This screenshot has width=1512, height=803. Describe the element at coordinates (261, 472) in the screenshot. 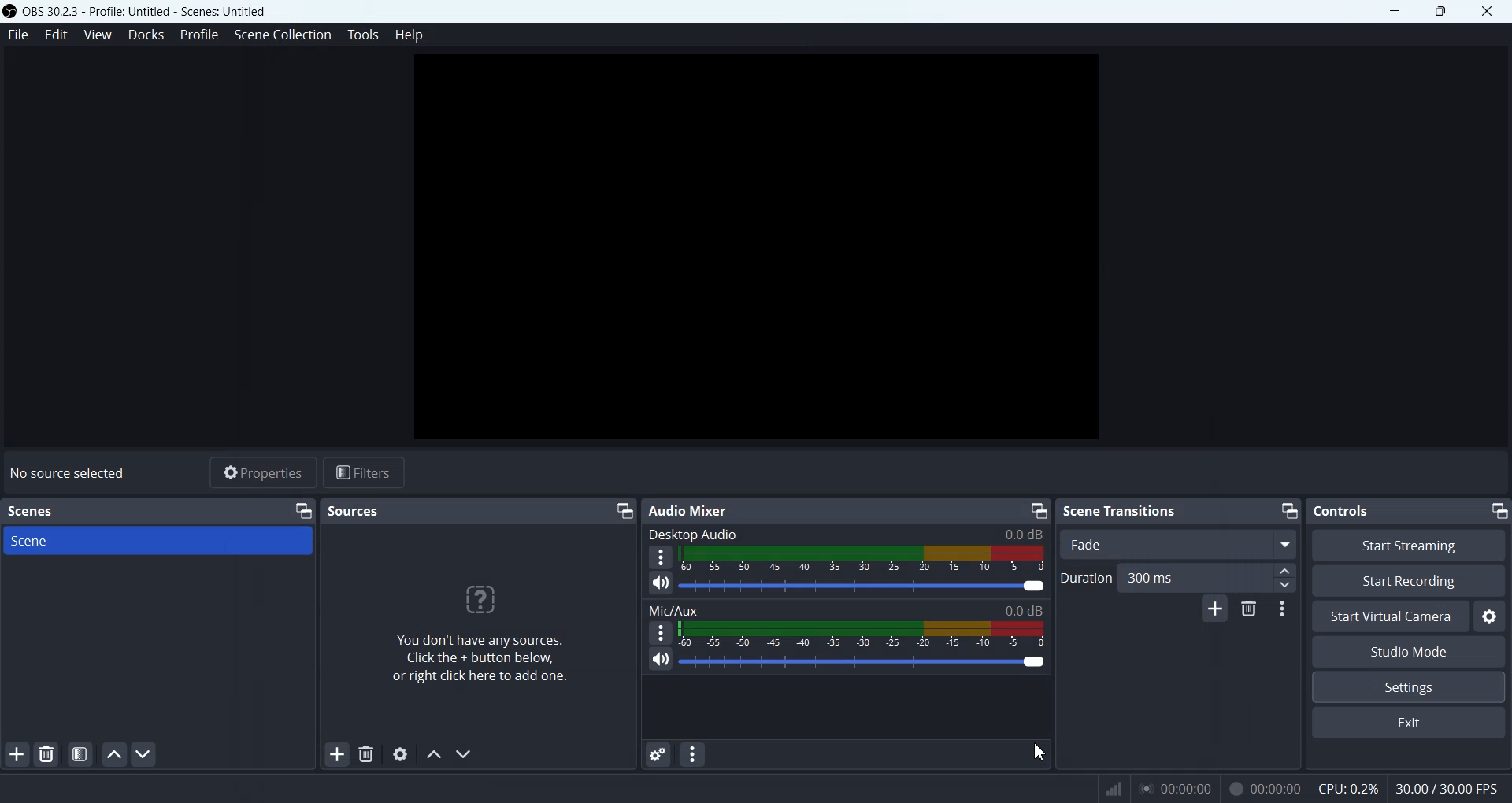

I see `Properties` at that location.